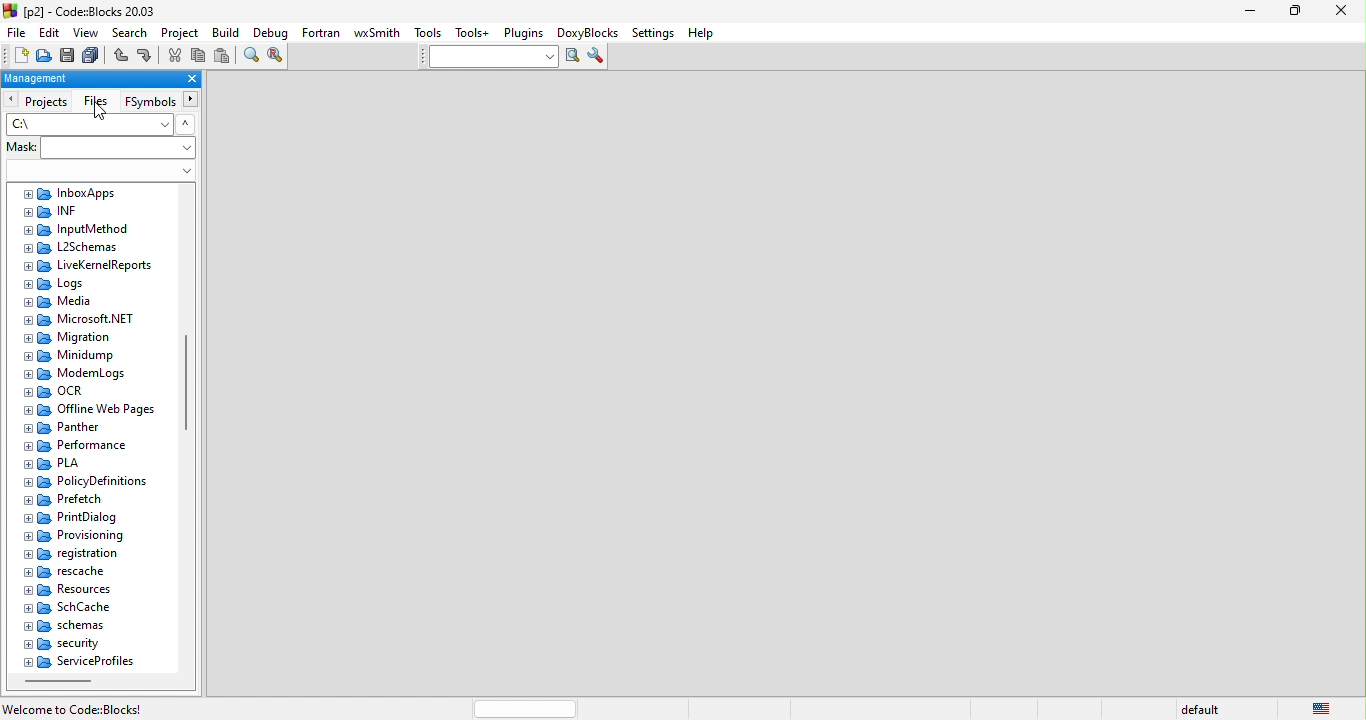 This screenshot has height=720, width=1366. Describe the element at coordinates (82, 319) in the screenshot. I see `microsoft net` at that location.